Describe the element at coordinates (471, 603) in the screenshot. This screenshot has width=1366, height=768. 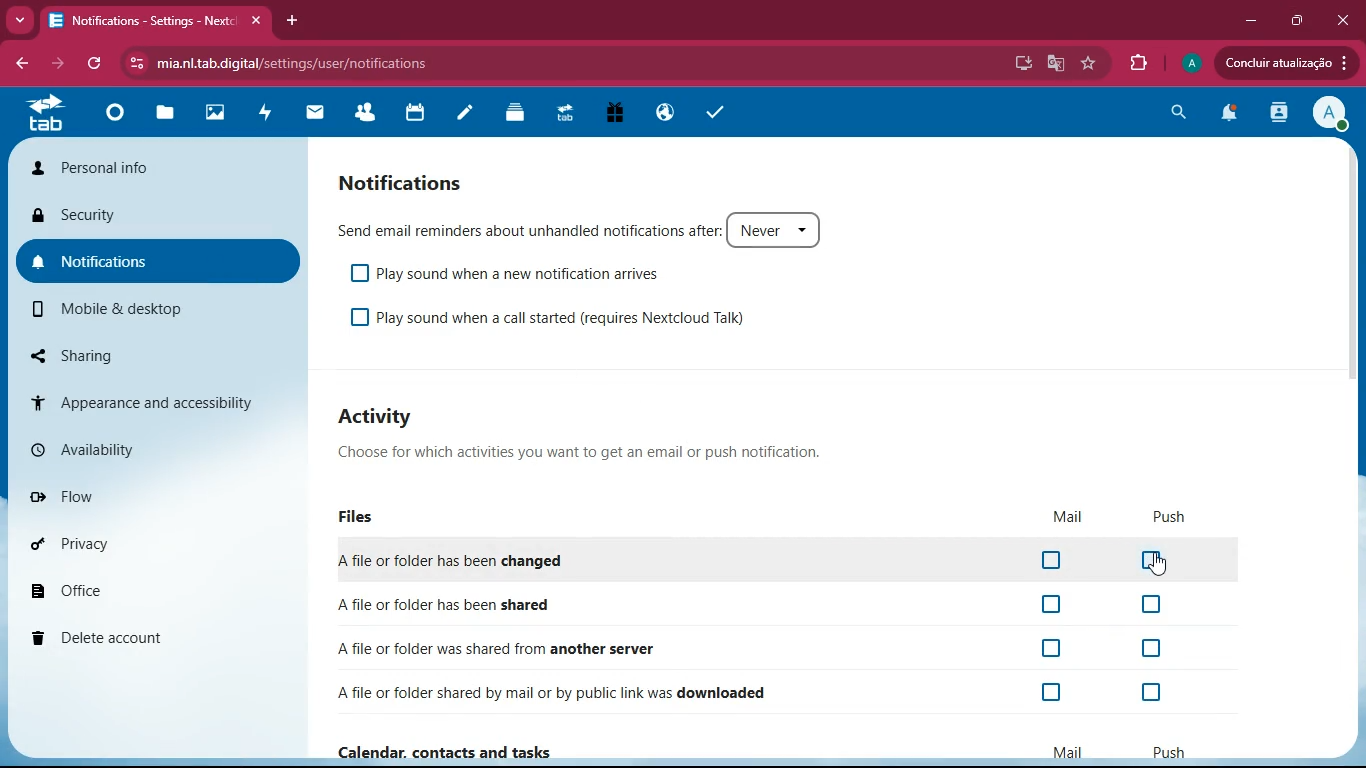
I see `shared` at that location.